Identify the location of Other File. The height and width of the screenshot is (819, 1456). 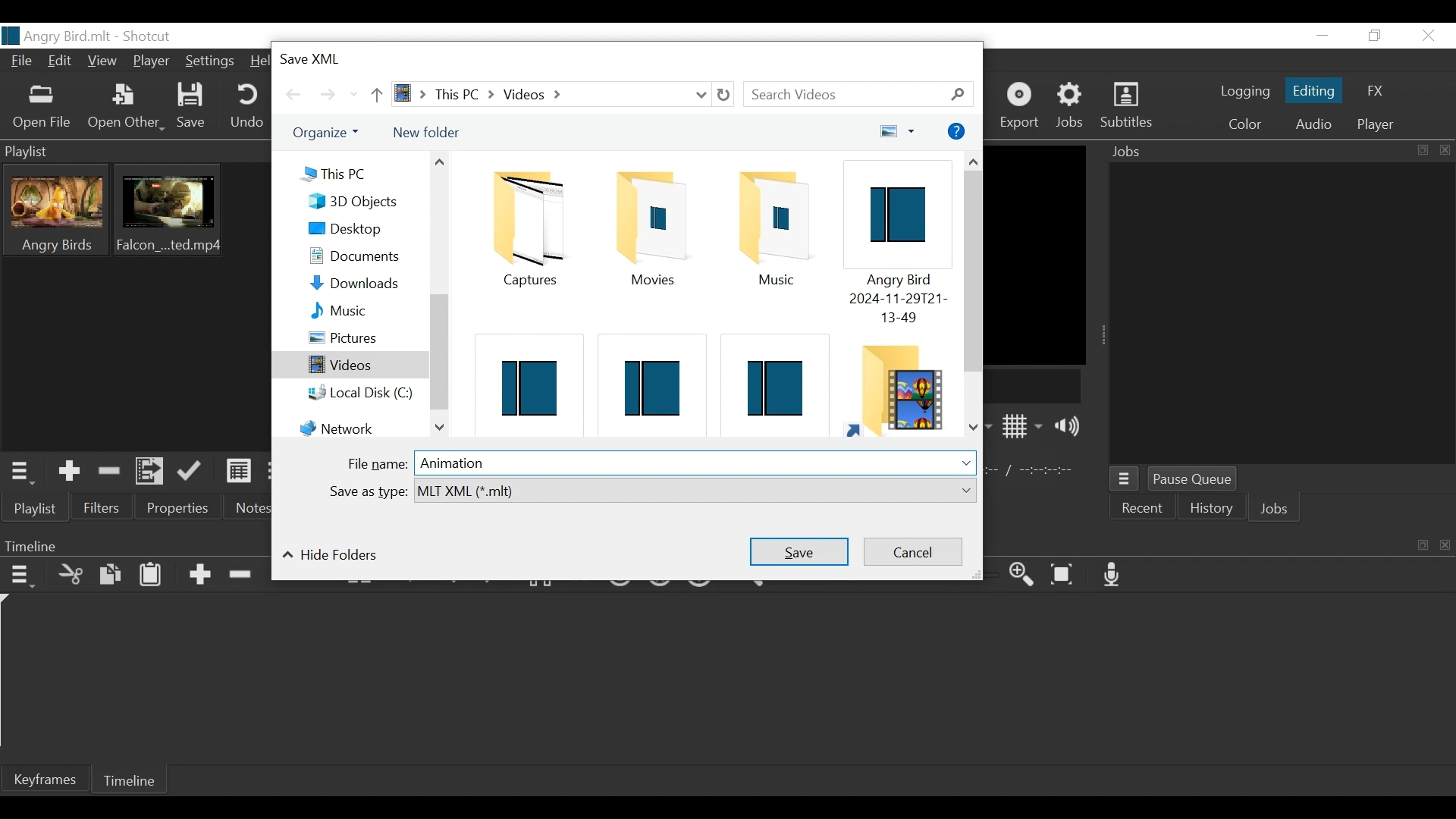
(122, 107).